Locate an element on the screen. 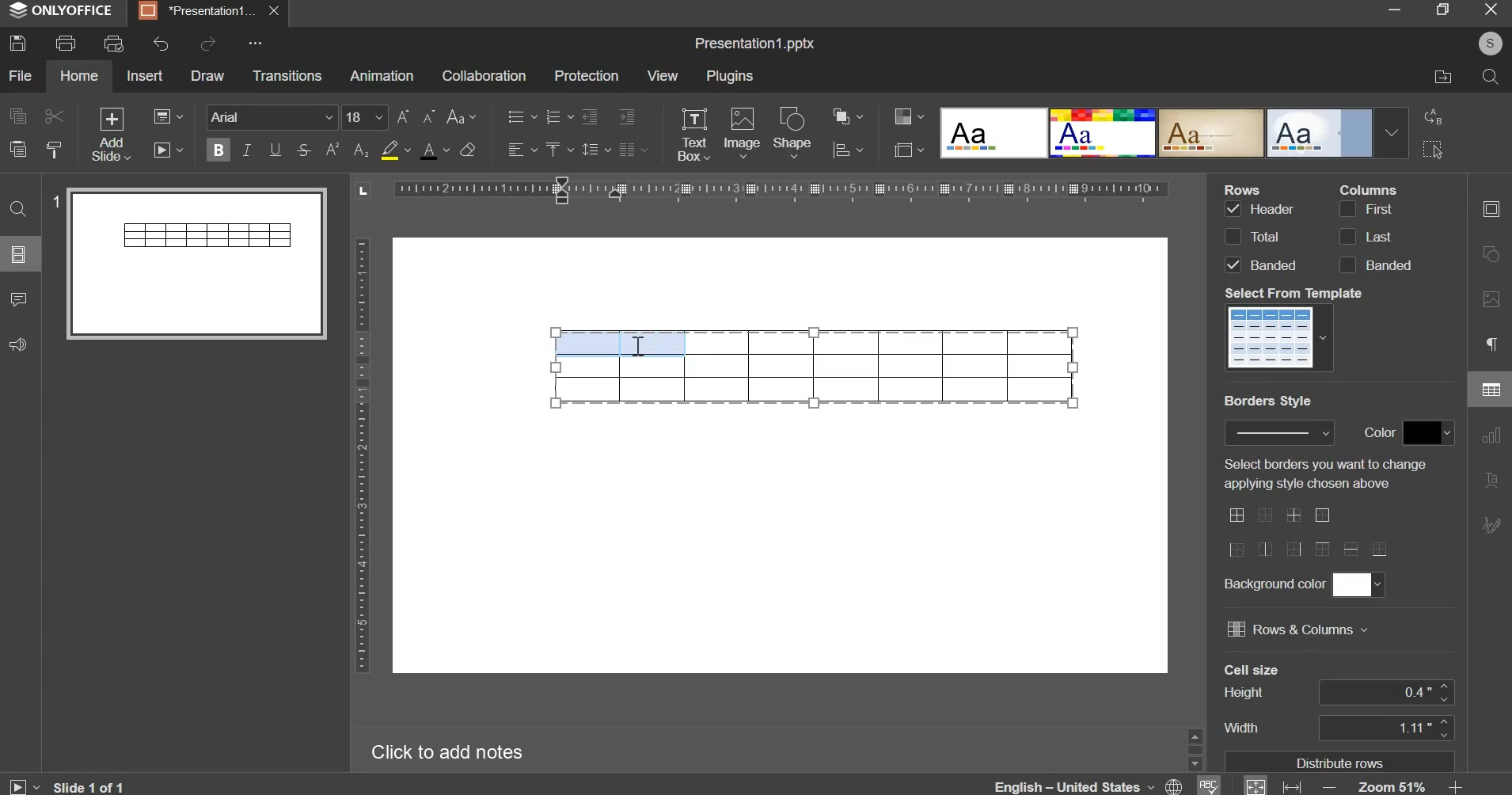 Image resolution: width=1512 pixels, height=795 pixels. Rows is located at coordinates (1246, 188).